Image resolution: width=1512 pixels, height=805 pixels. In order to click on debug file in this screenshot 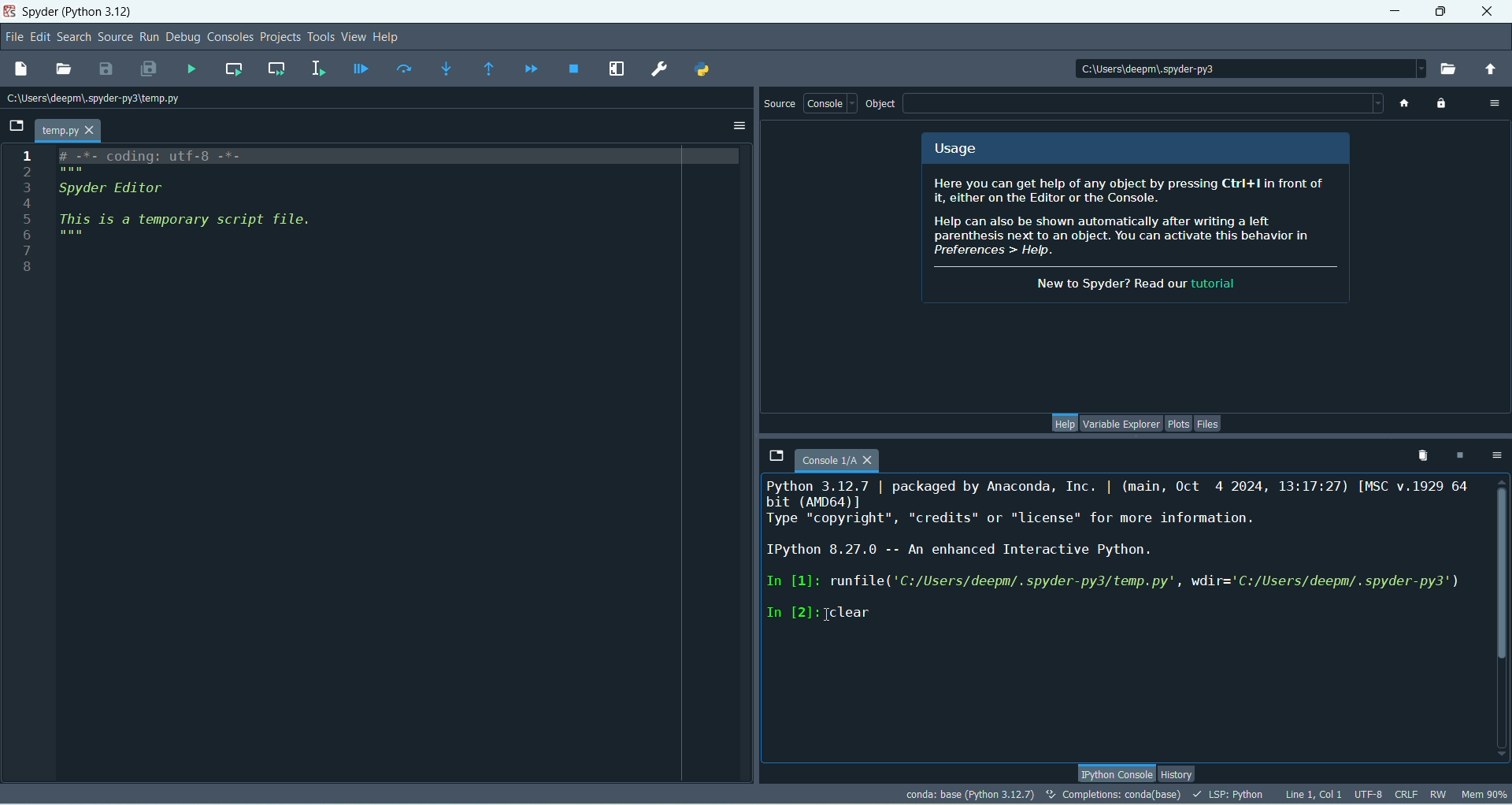, I will do `click(361, 72)`.